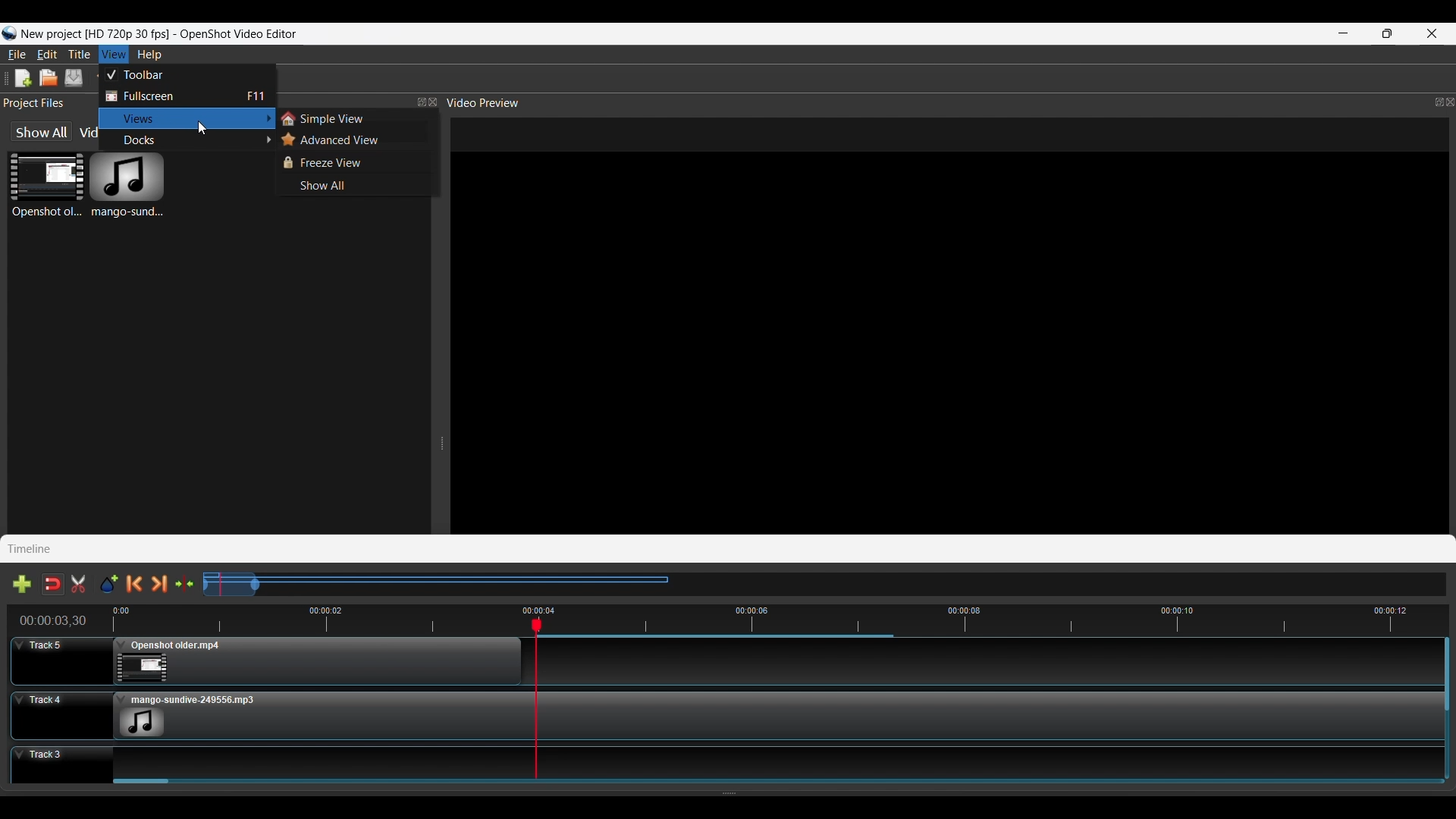 This screenshot has height=819, width=1456. Describe the element at coordinates (203, 127) in the screenshot. I see `Cursor` at that location.